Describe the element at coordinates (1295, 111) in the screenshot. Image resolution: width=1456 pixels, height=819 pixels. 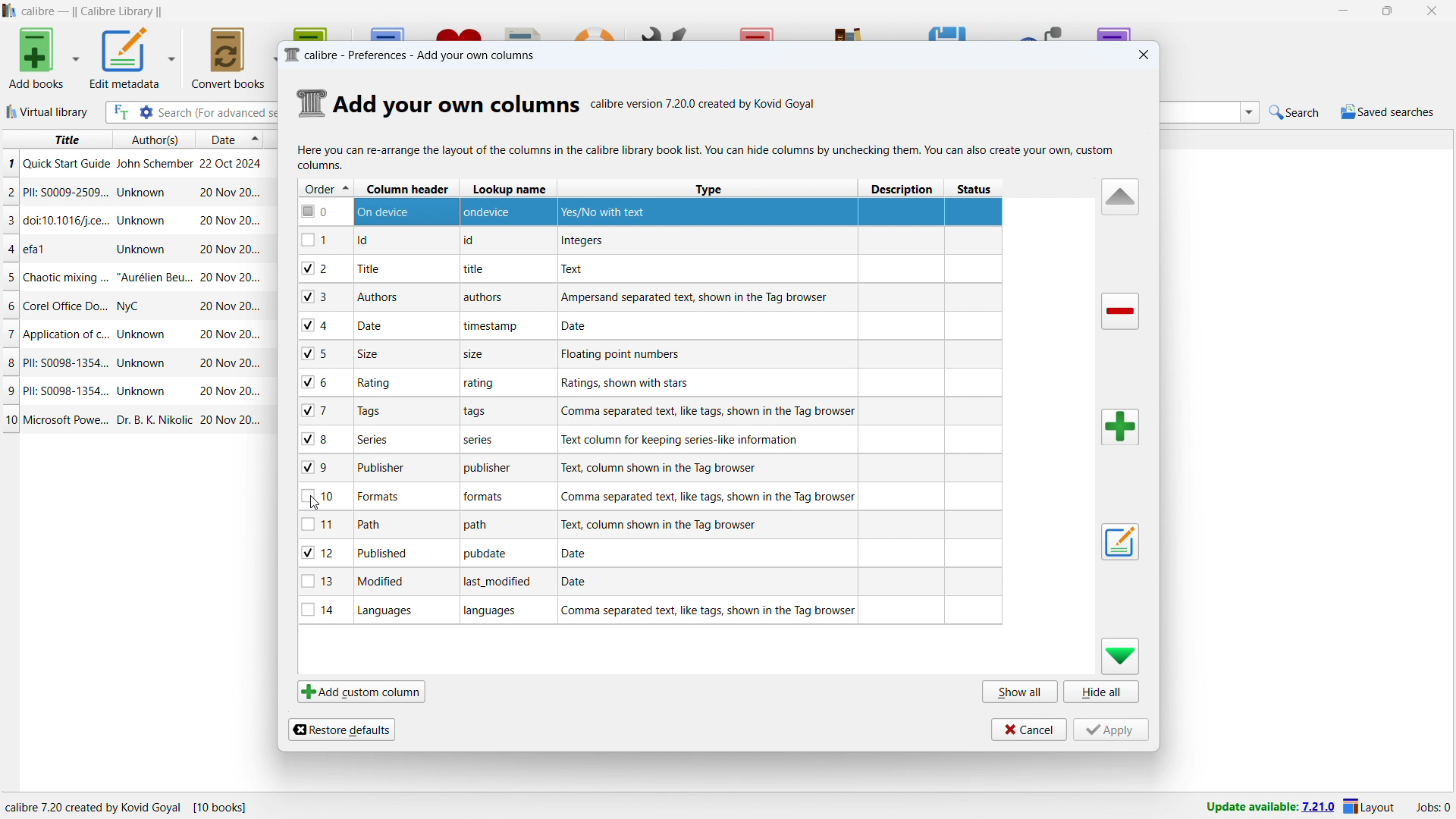
I see `quick search` at that location.